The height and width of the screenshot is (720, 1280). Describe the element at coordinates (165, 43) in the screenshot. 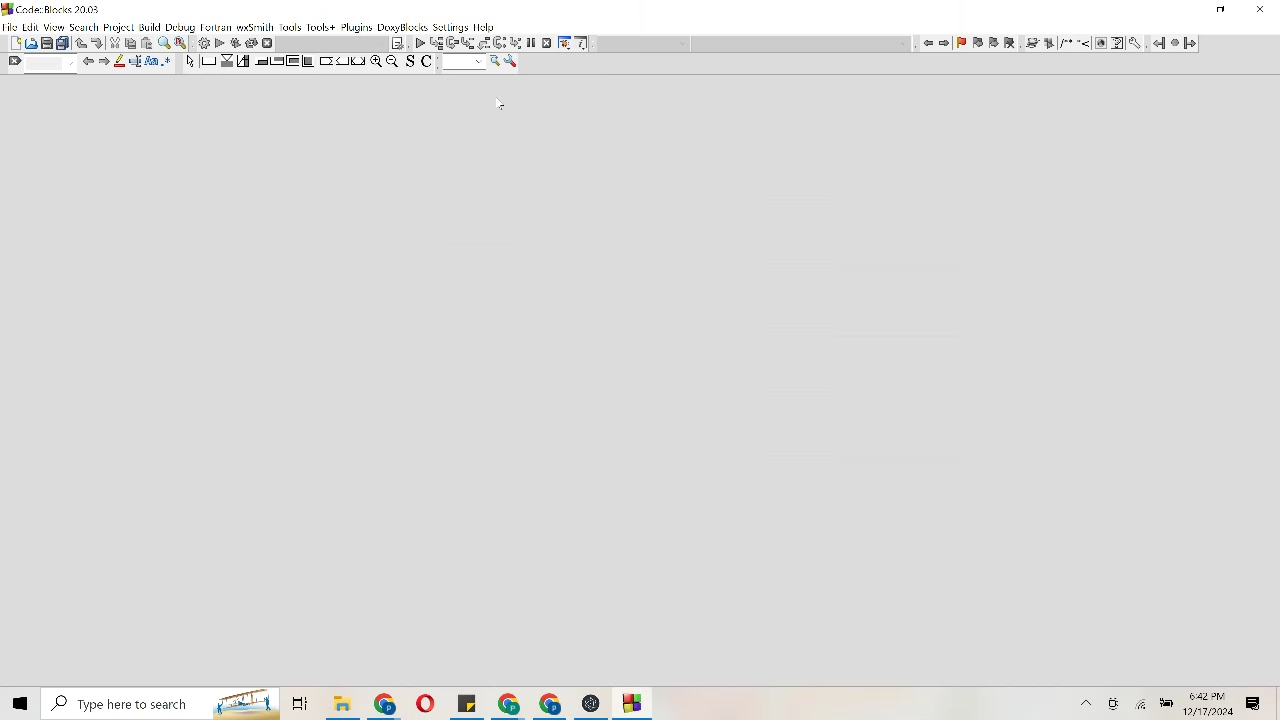

I see `Find` at that location.